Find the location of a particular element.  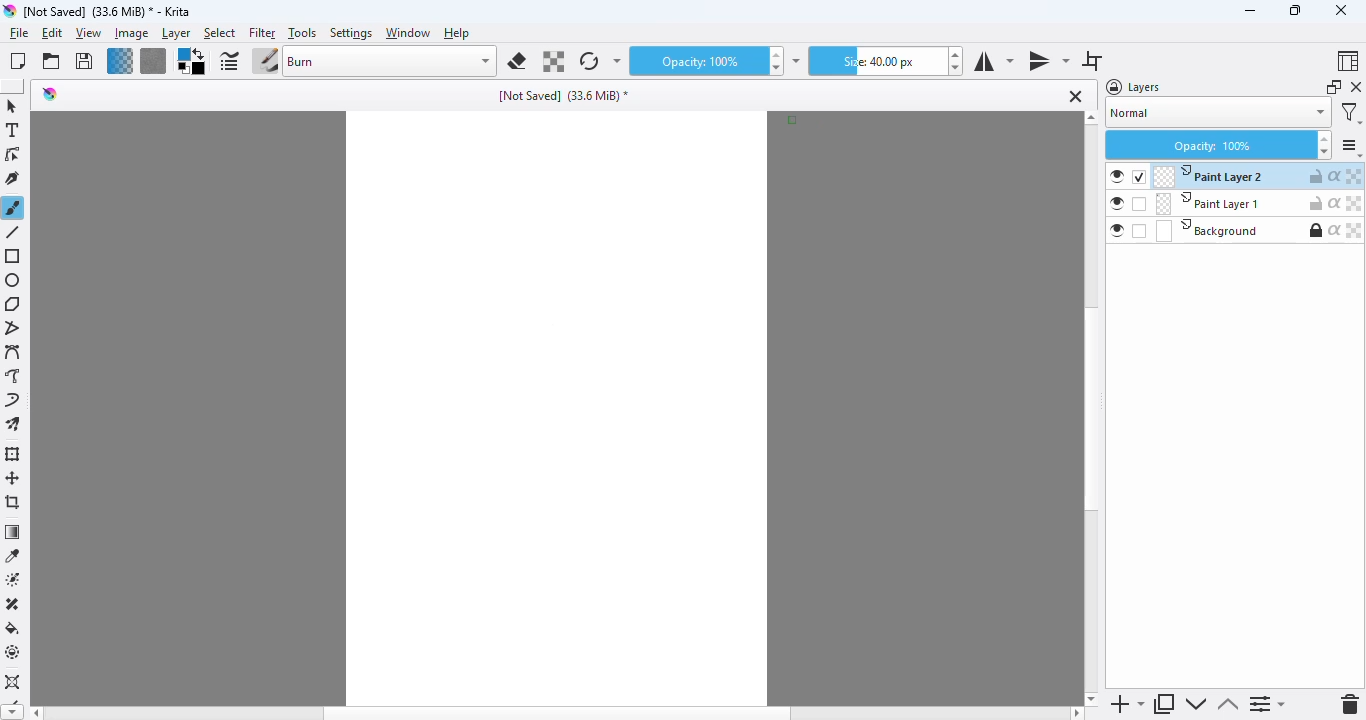

reload original preset is located at coordinates (588, 61).